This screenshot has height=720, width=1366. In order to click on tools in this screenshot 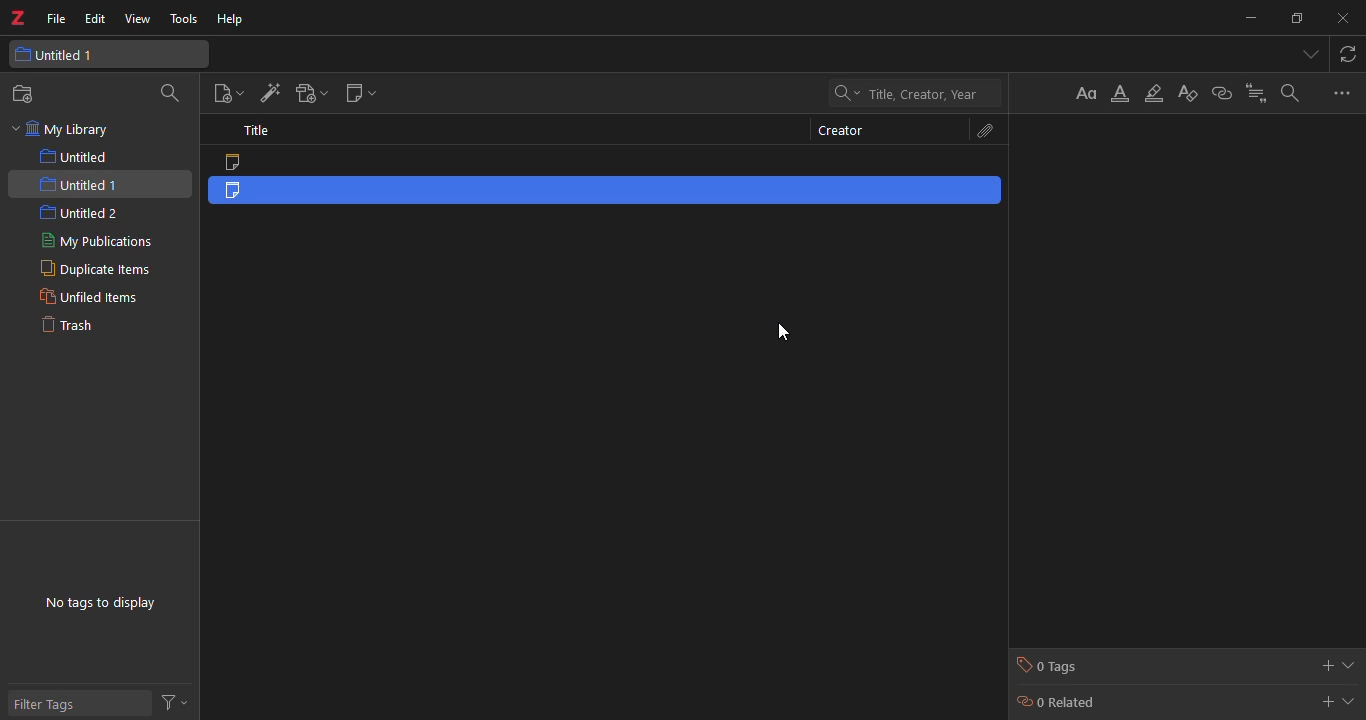, I will do `click(179, 18)`.